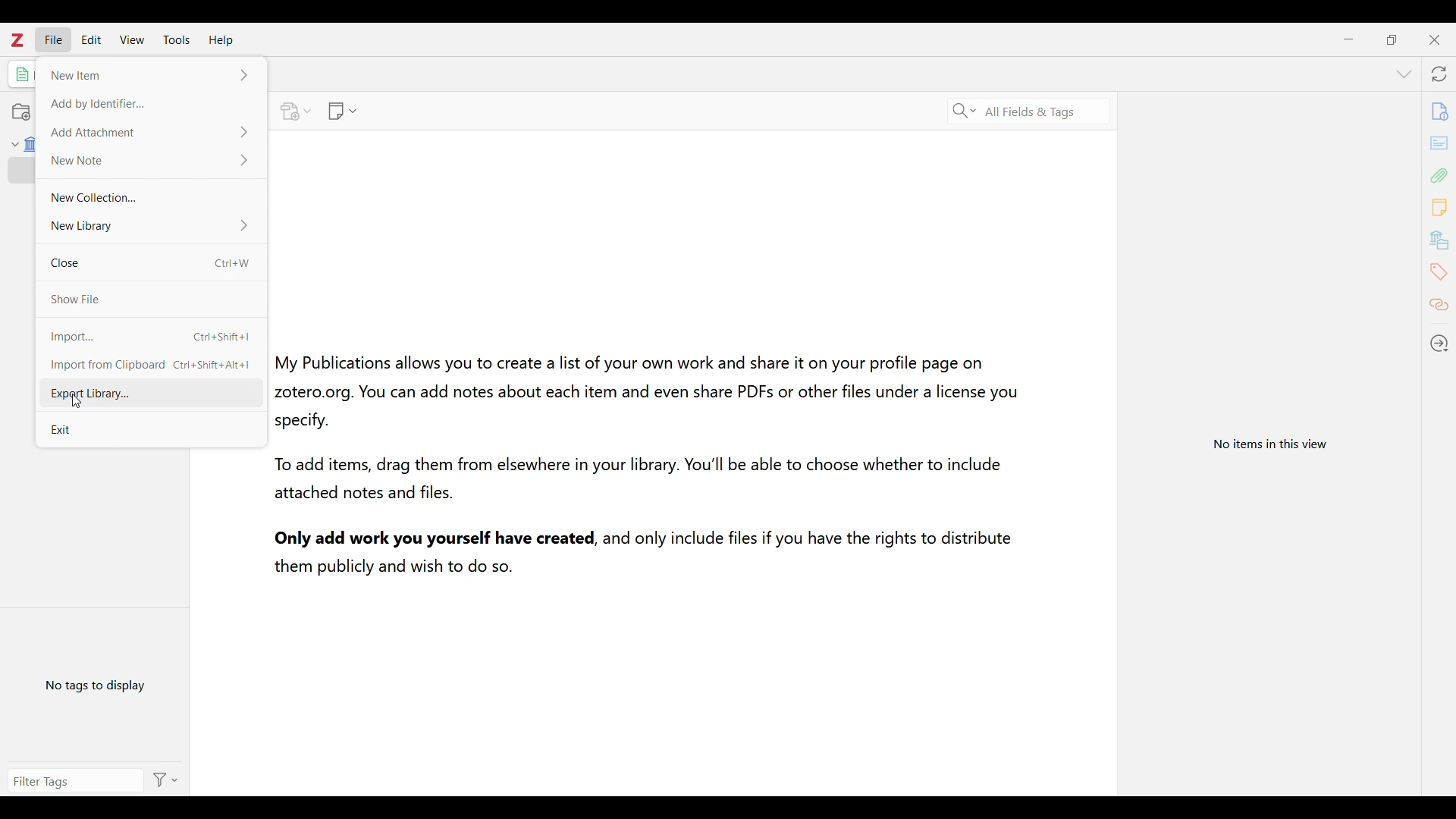  I want to click on Action options, so click(164, 780).